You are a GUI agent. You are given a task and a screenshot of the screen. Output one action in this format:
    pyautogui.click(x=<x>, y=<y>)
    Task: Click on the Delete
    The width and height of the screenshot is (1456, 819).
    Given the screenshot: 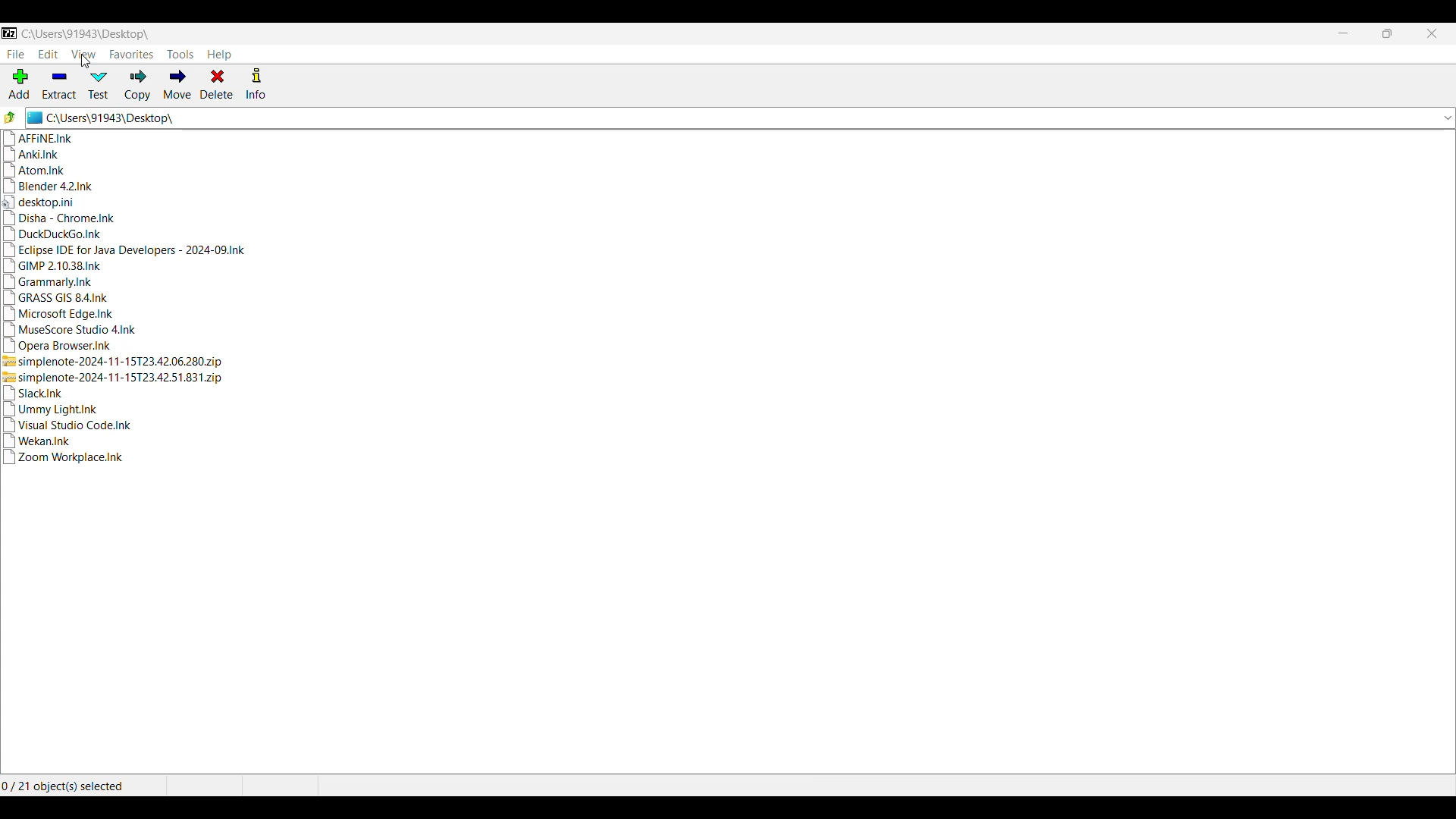 What is the action you would take?
    pyautogui.click(x=217, y=84)
    